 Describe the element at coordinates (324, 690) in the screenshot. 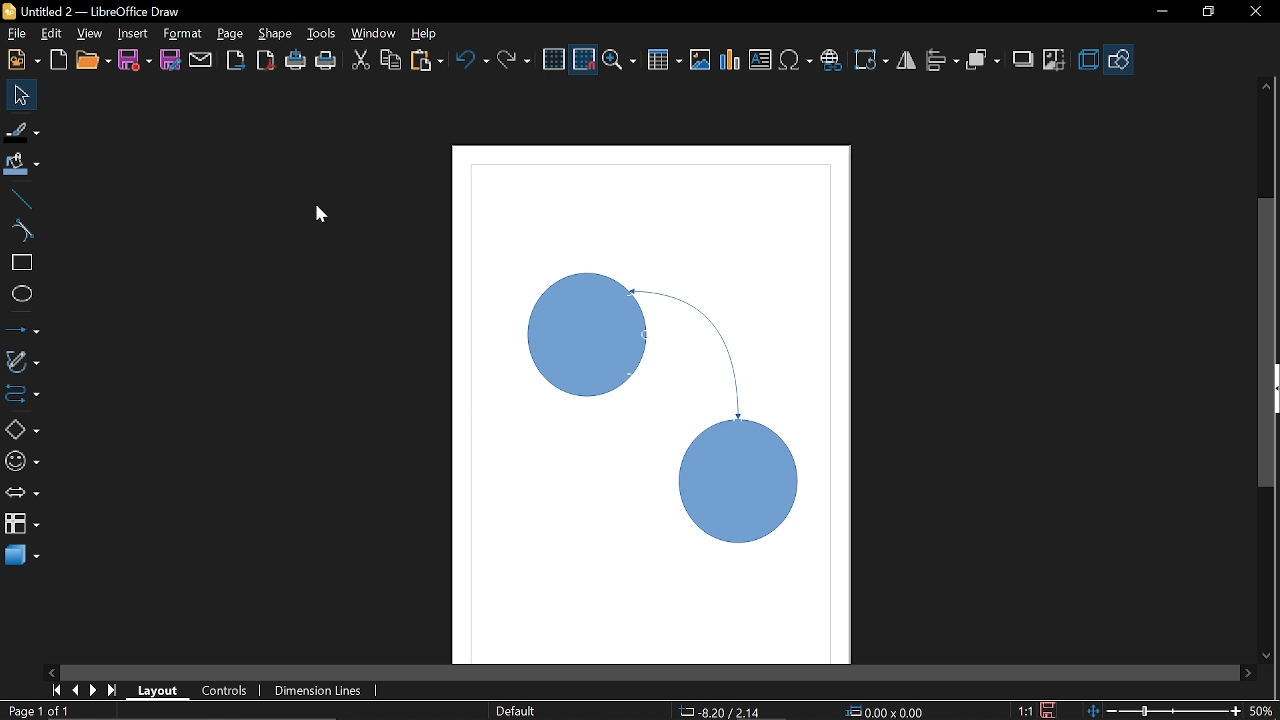

I see `Dimension lines` at that location.